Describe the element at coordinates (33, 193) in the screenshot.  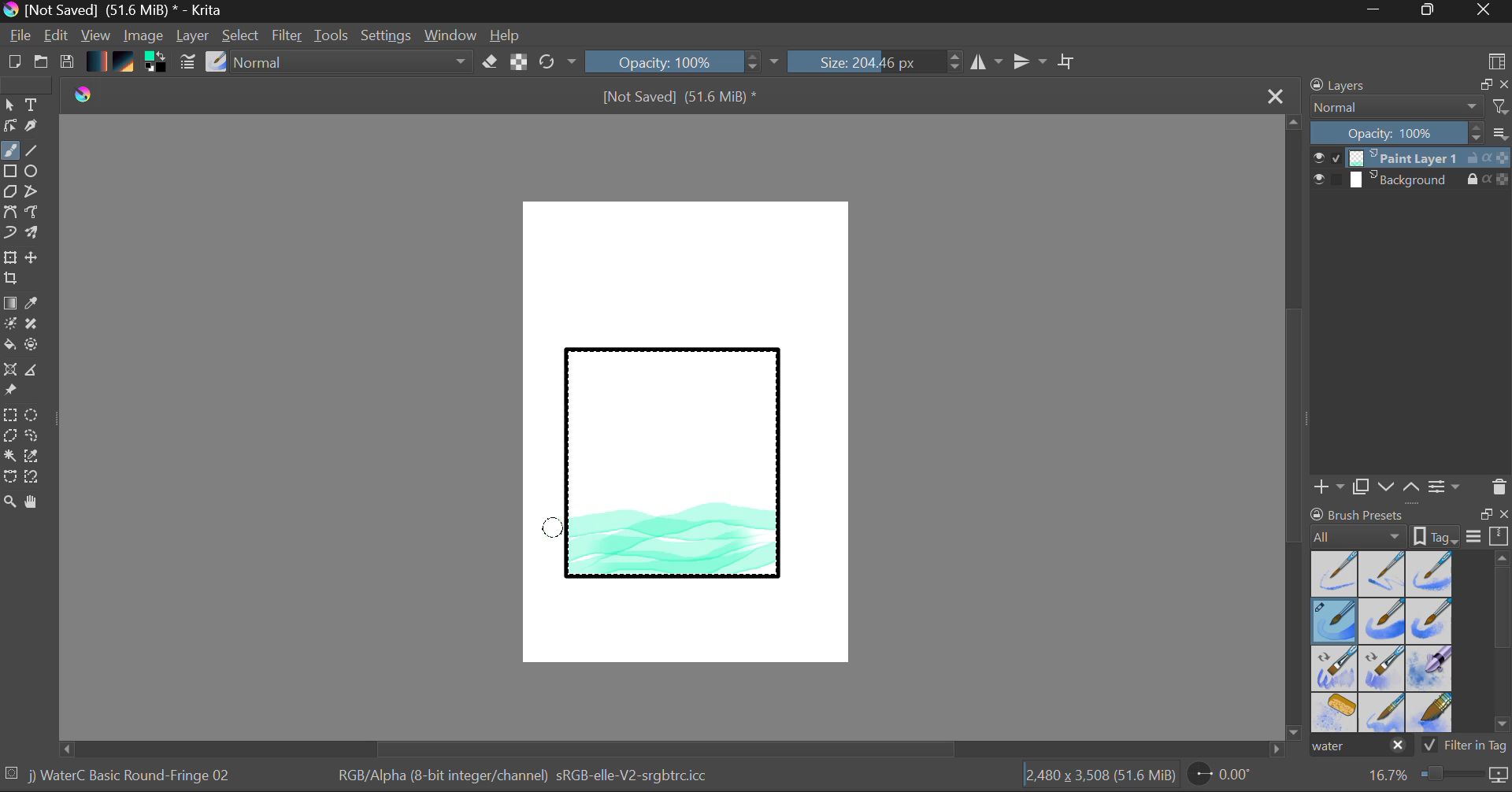
I see `Polyline` at that location.